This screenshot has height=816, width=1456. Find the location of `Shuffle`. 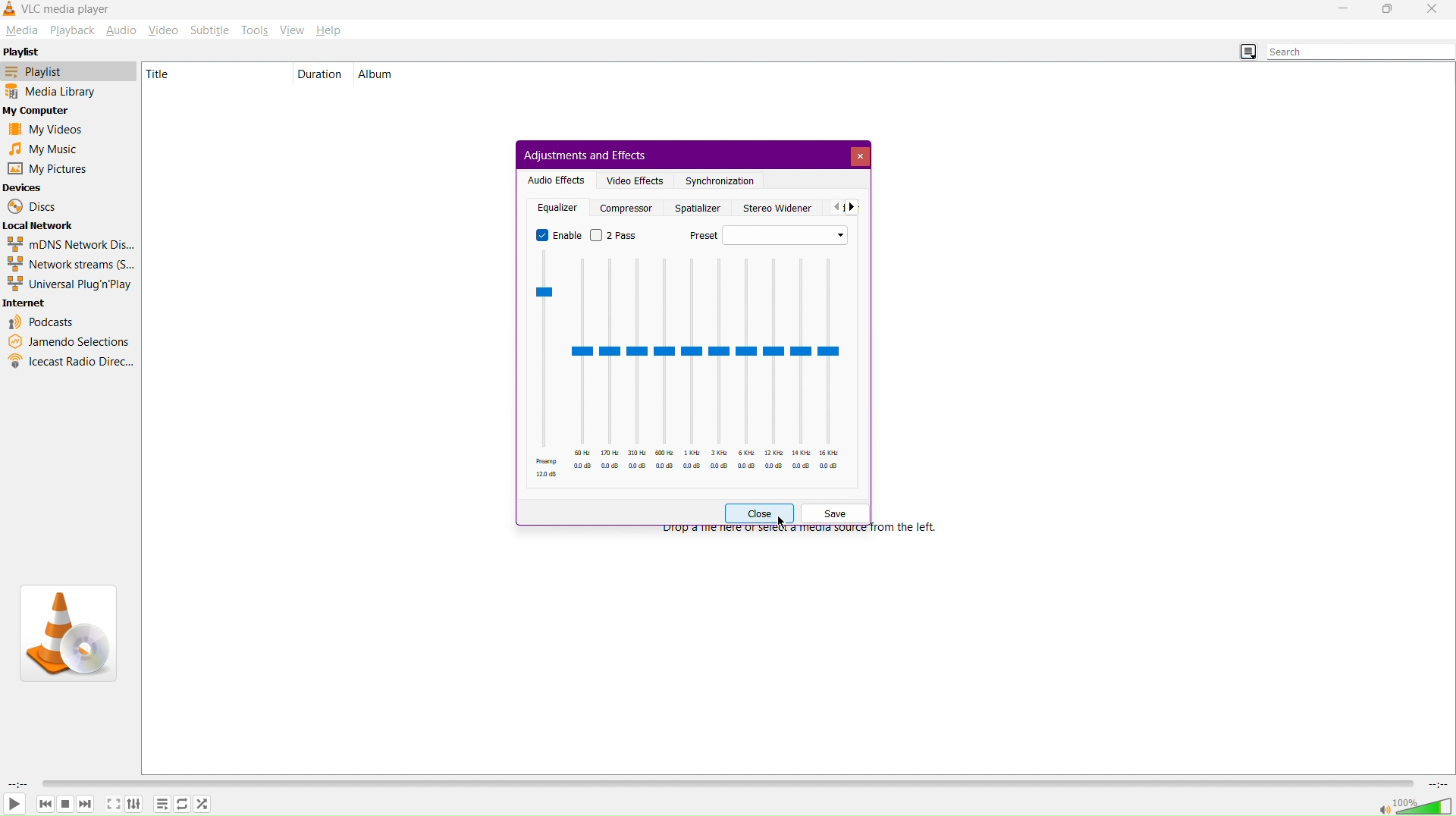

Shuffle is located at coordinates (204, 805).